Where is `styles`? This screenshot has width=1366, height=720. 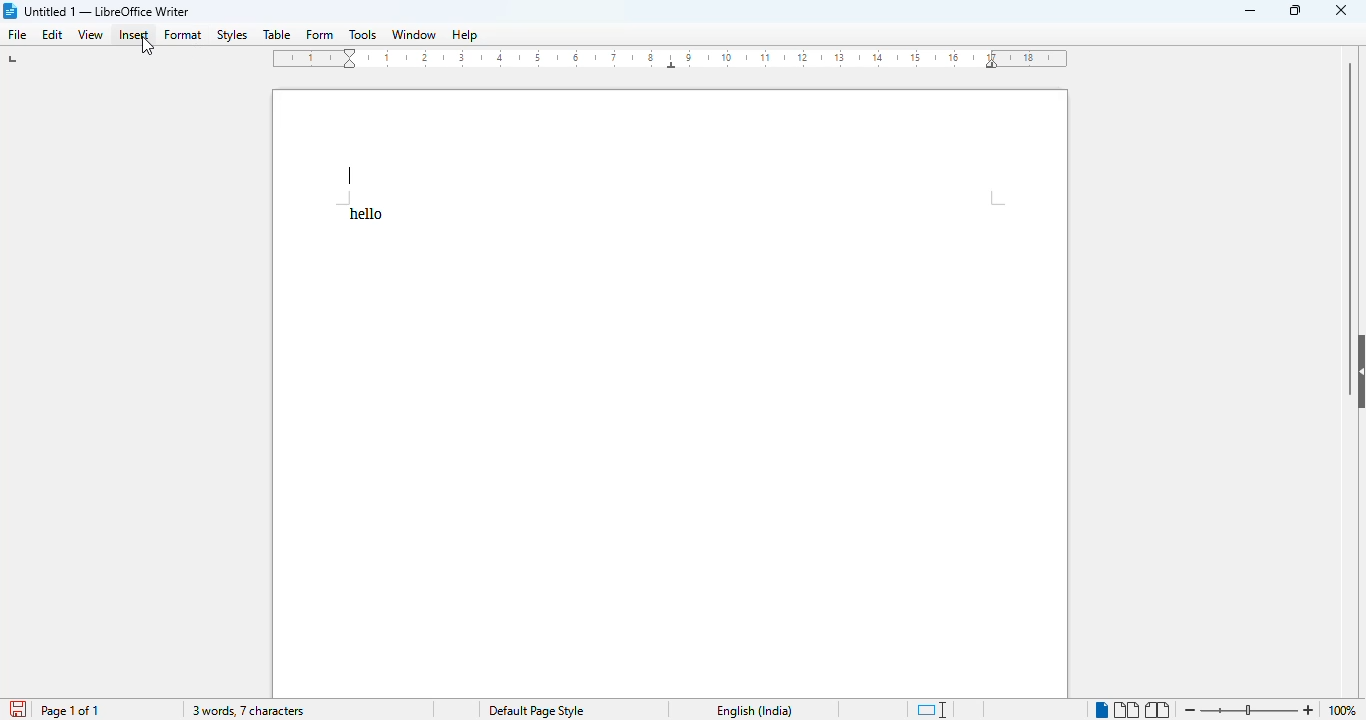
styles is located at coordinates (233, 35).